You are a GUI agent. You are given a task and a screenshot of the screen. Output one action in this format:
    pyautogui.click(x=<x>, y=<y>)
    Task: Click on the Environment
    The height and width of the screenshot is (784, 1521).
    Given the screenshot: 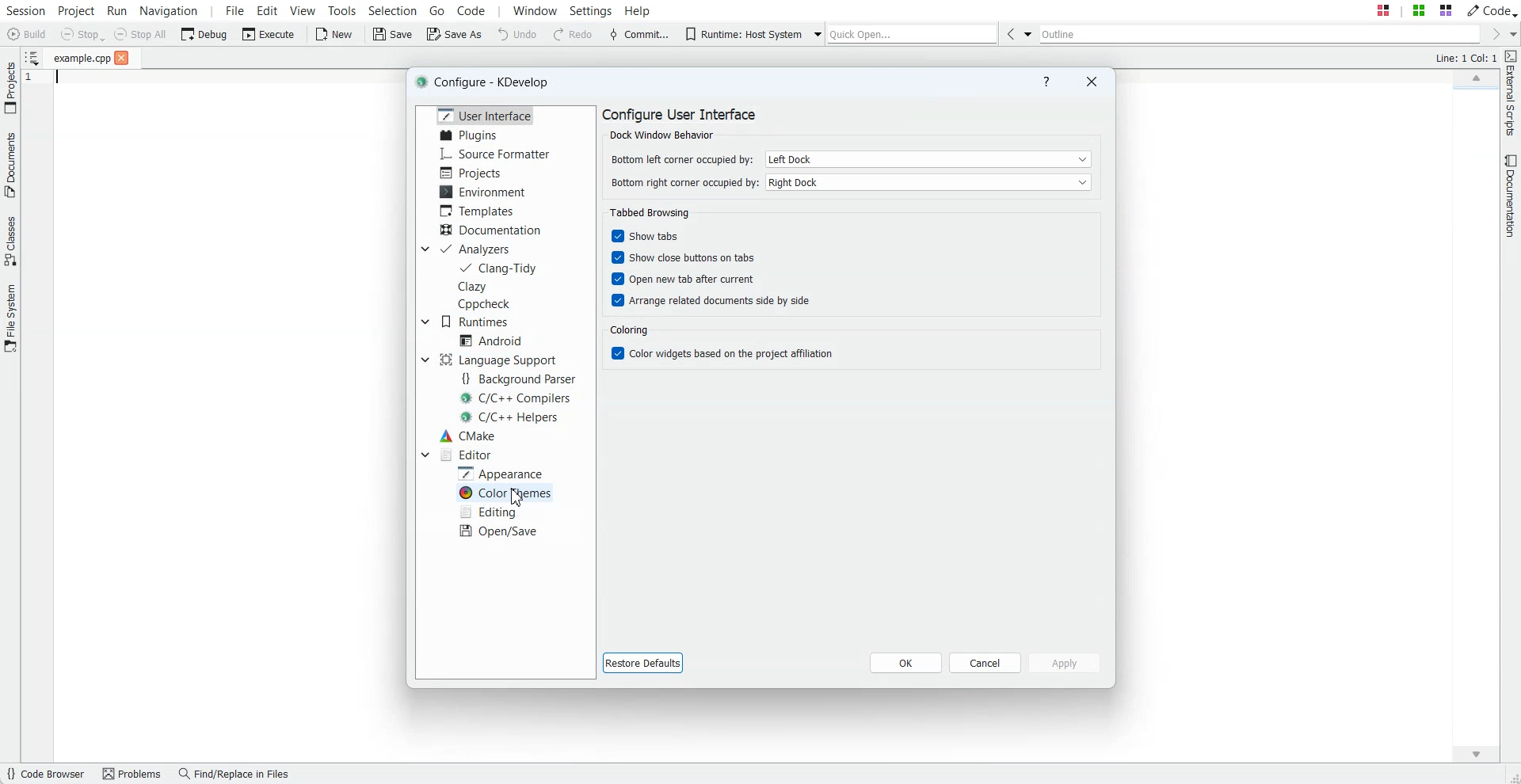 What is the action you would take?
    pyautogui.click(x=485, y=191)
    